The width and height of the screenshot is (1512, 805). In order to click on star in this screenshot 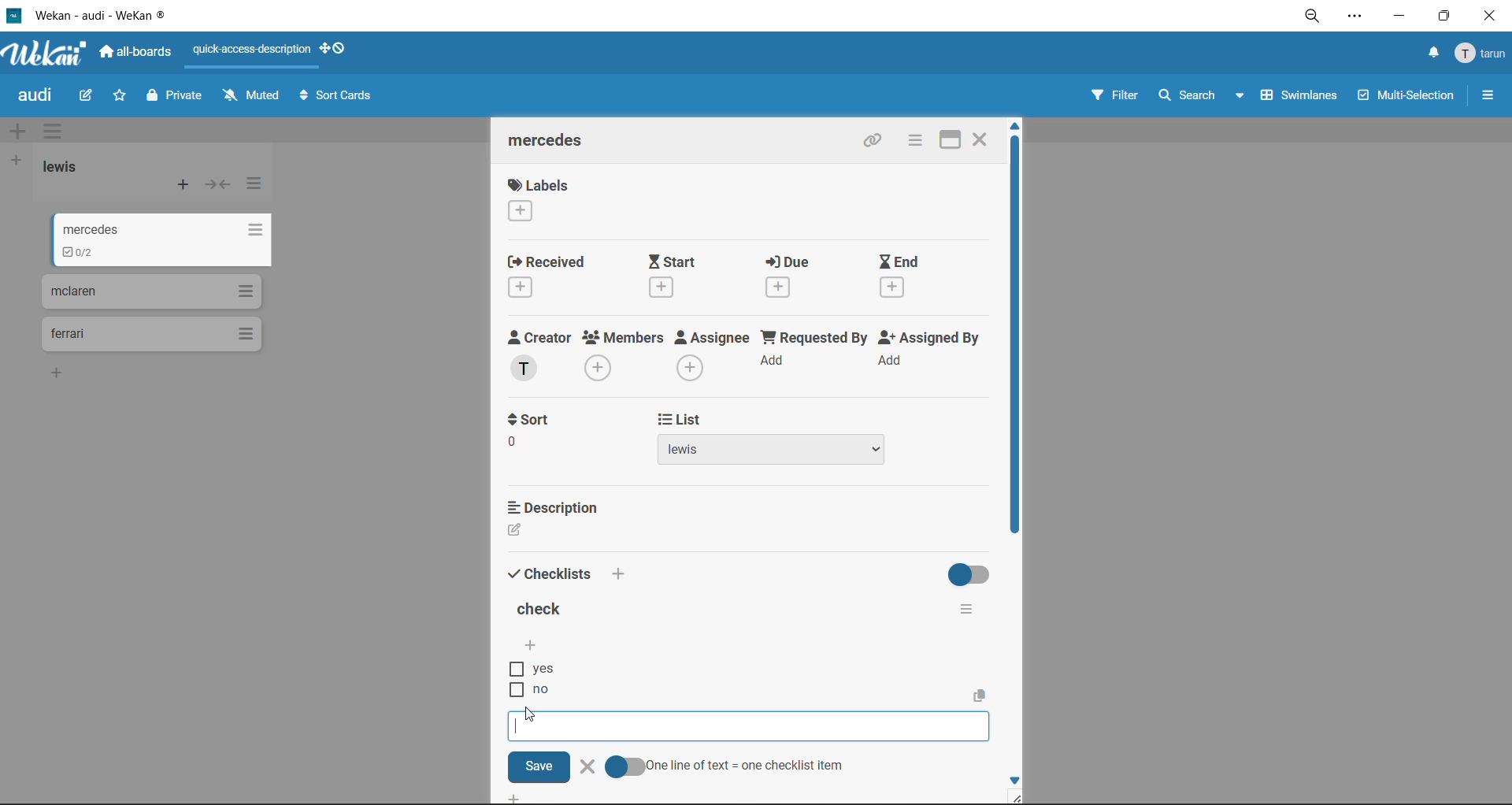, I will do `click(125, 97)`.